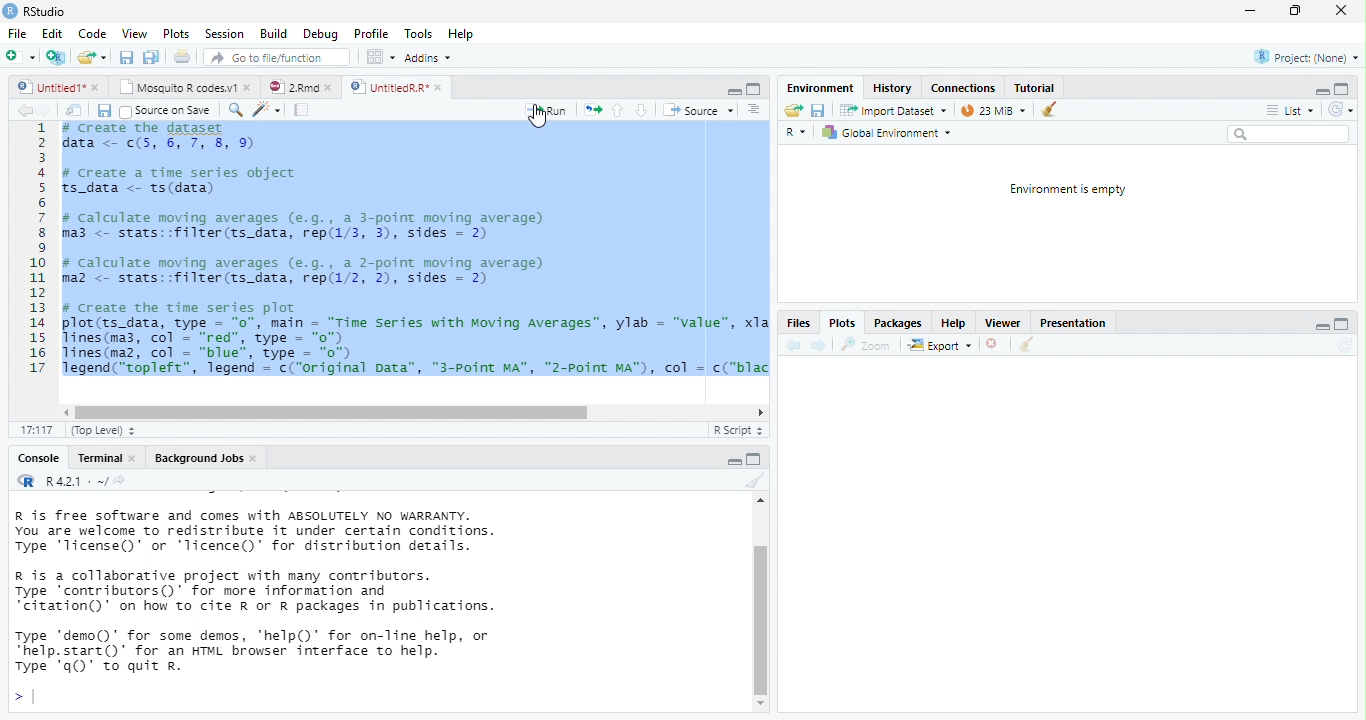 The image size is (1366, 720). I want to click on maximize, so click(1340, 325).